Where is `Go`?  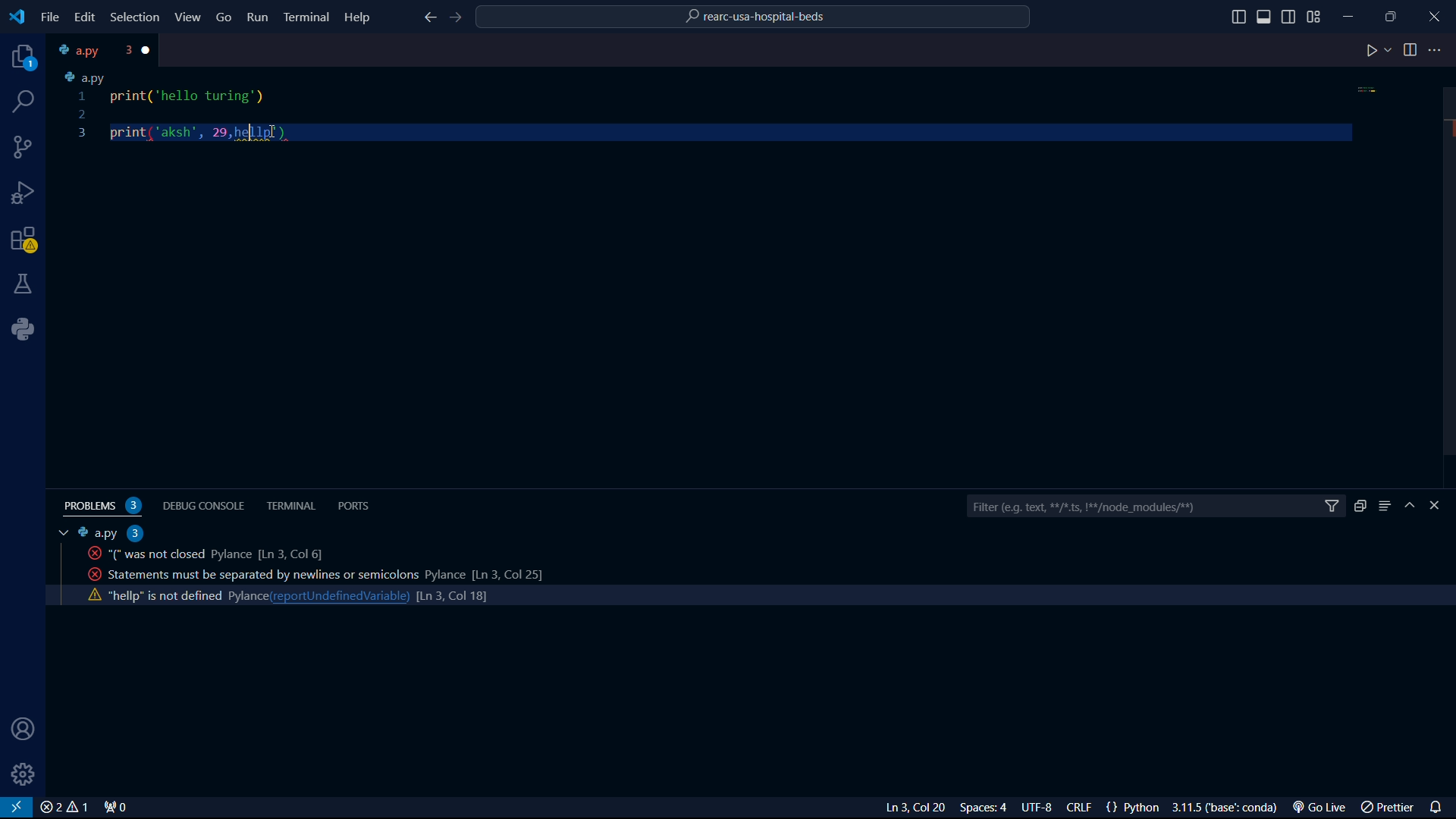 Go is located at coordinates (224, 16).